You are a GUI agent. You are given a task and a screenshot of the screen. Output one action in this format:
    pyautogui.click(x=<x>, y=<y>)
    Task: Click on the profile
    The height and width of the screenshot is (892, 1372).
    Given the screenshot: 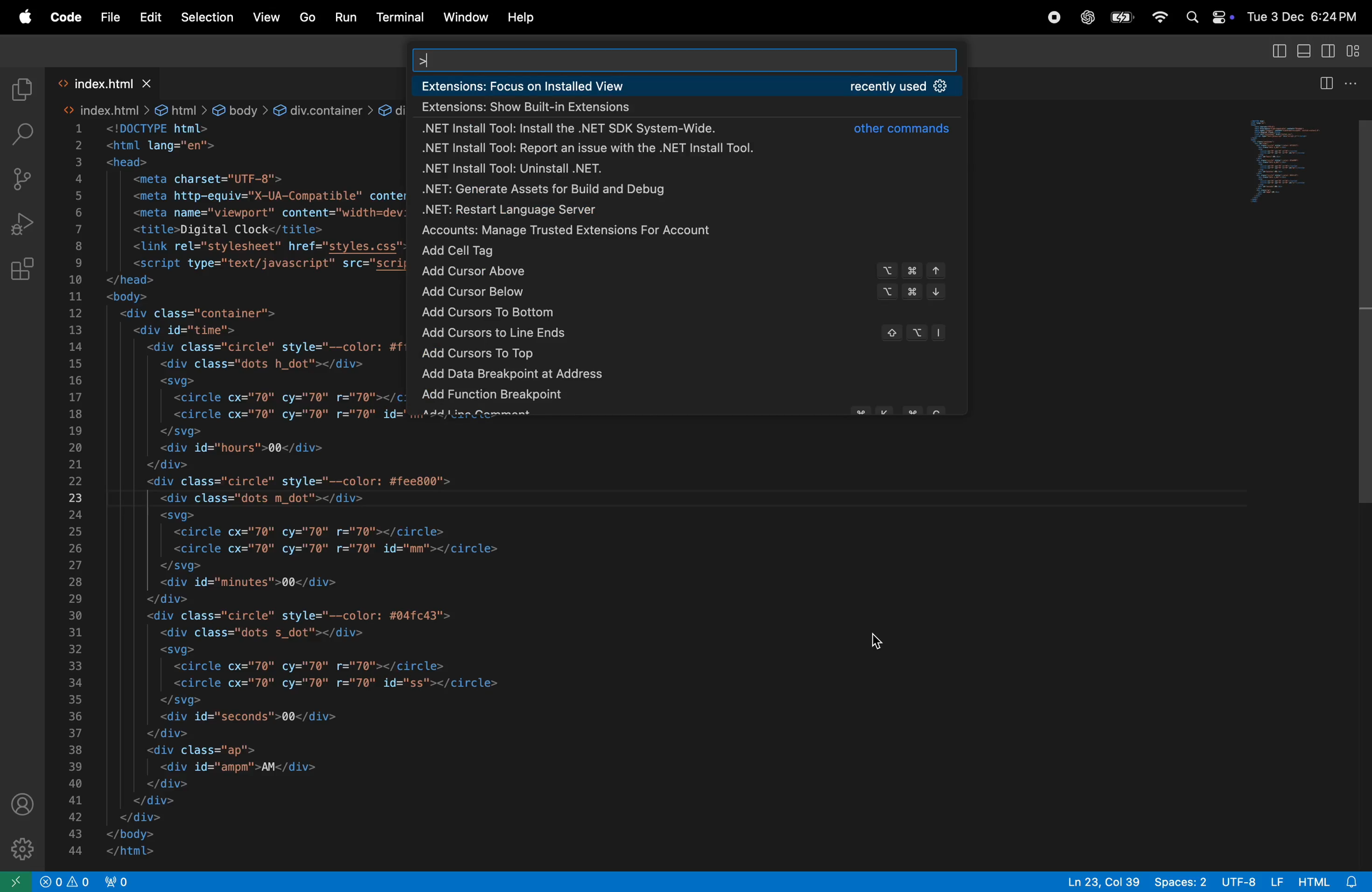 What is the action you would take?
    pyautogui.click(x=20, y=803)
    